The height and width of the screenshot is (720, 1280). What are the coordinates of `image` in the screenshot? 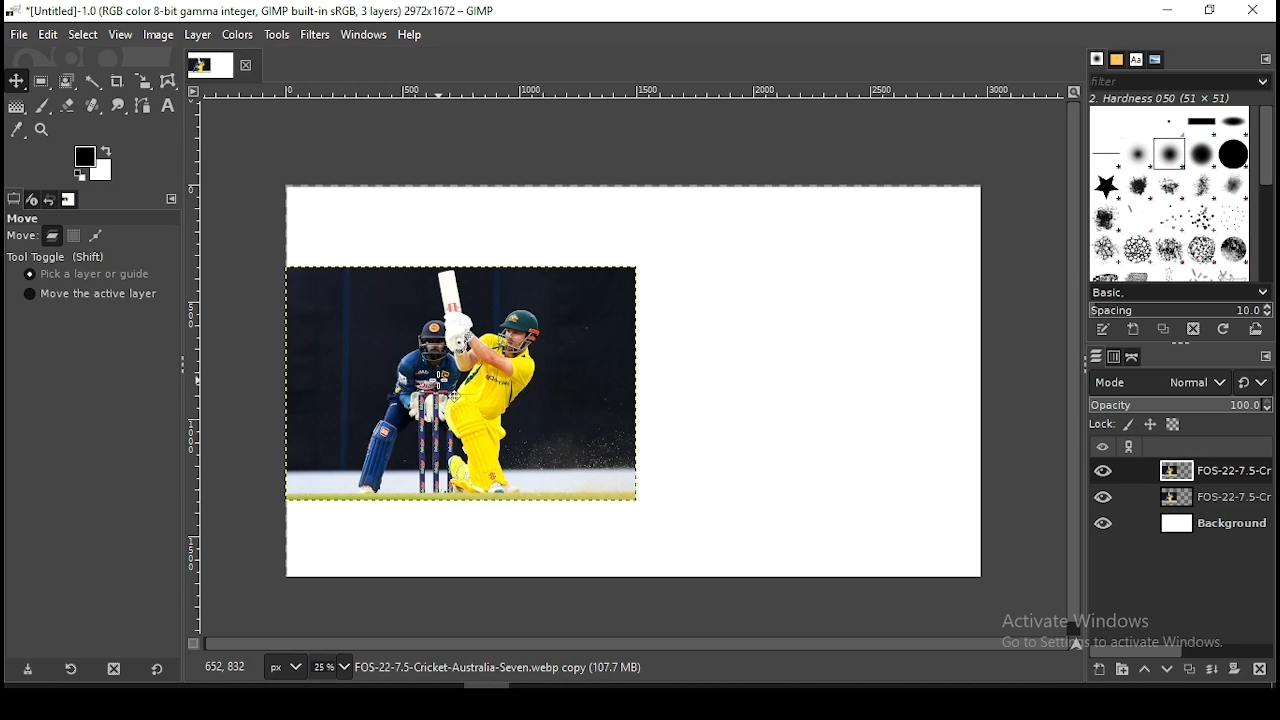 It's located at (159, 34).